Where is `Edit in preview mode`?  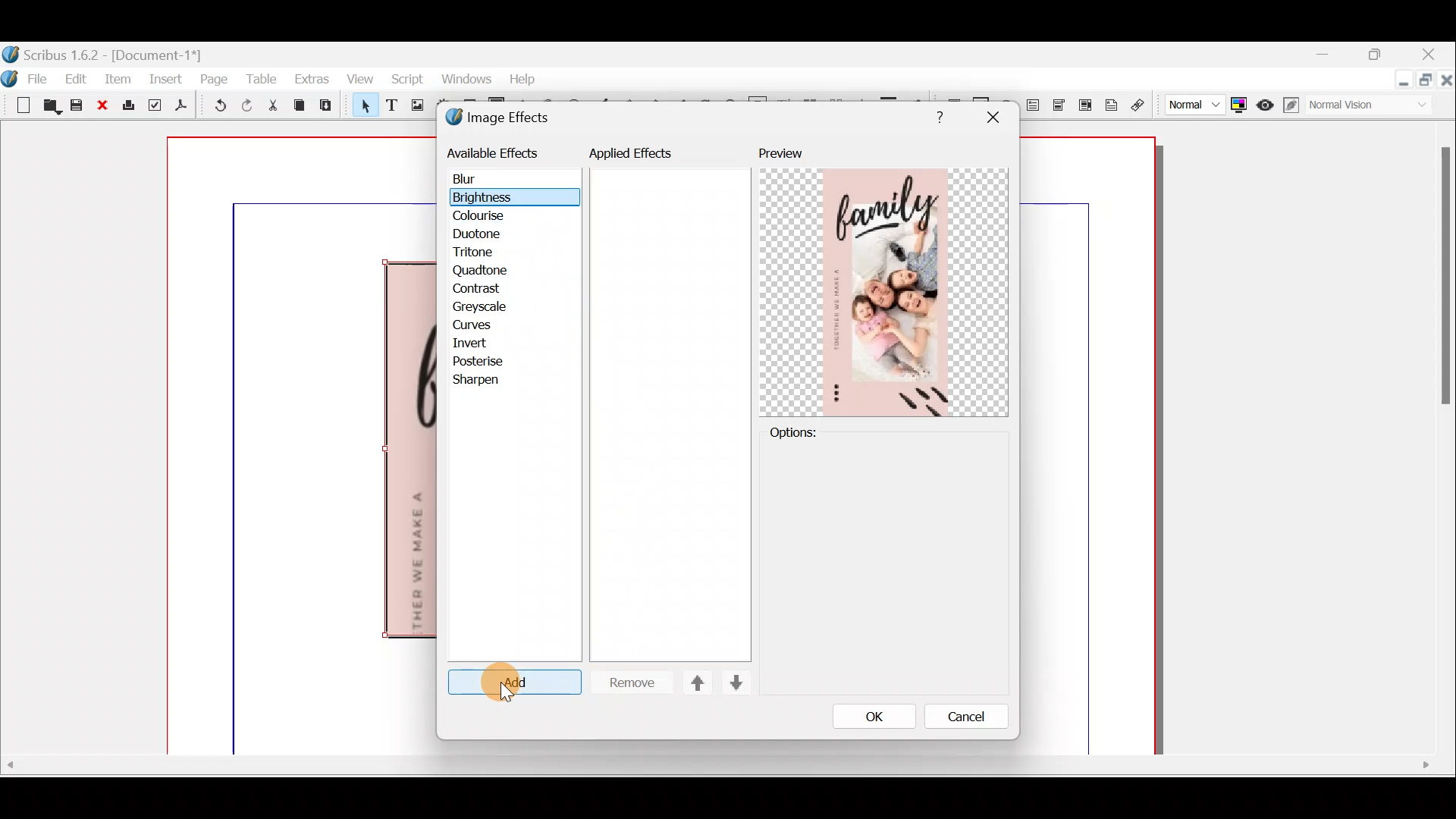 Edit in preview mode is located at coordinates (1292, 105).